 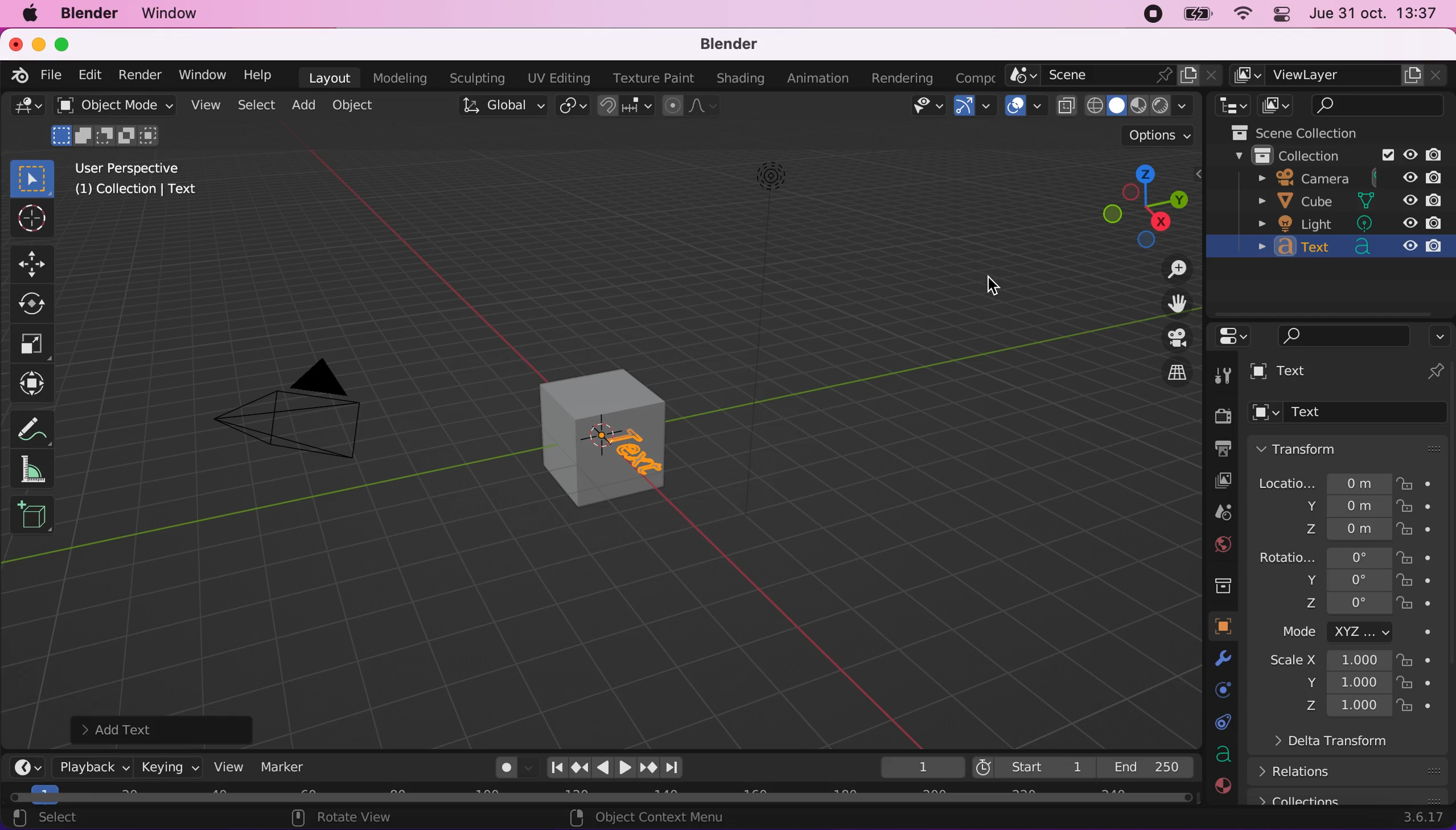 What do you see at coordinates (32, 344) in the screenshot?
I see `scale` at bounding box center [32, 344].